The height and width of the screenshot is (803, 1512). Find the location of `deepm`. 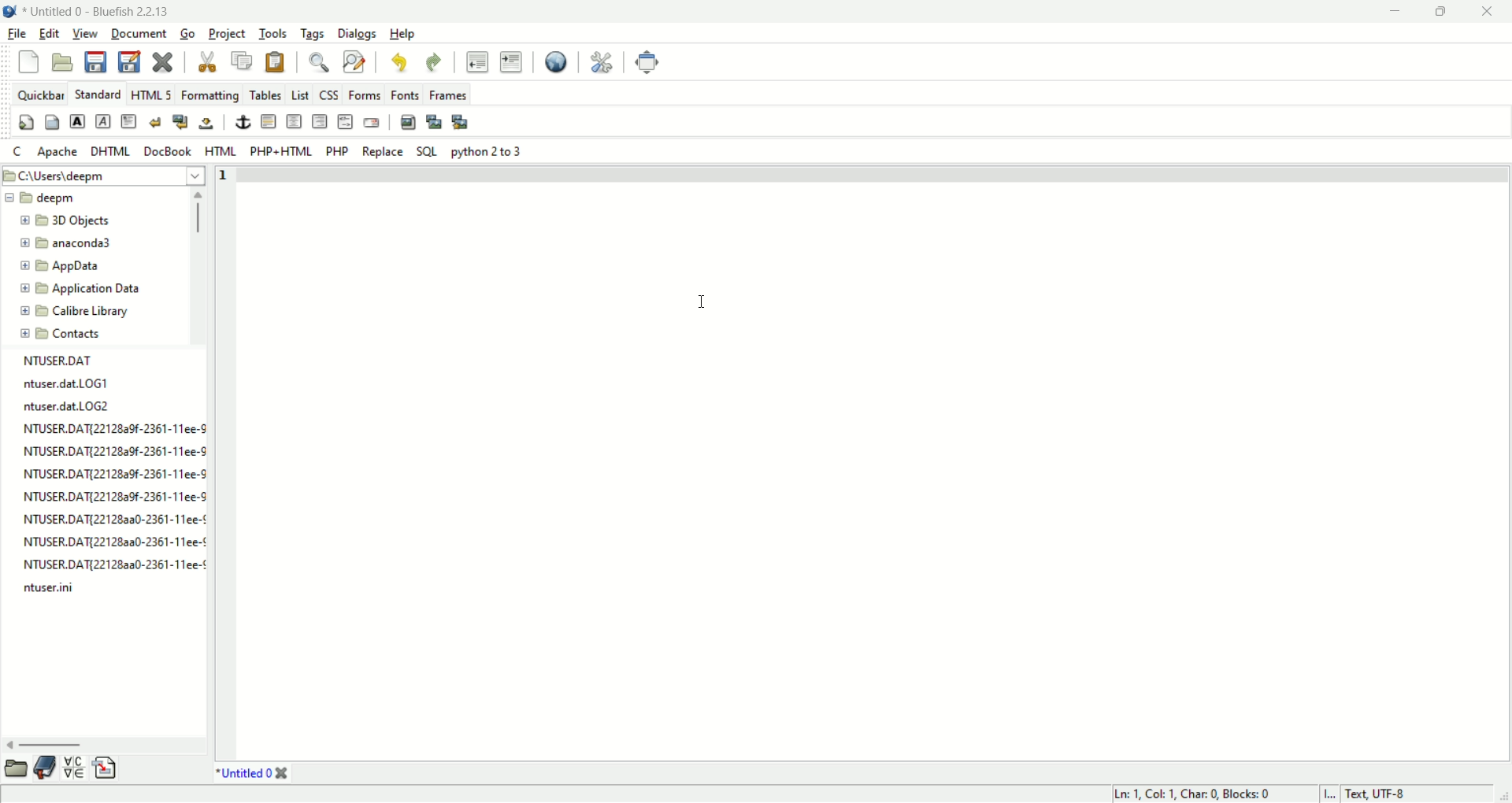

deepm is located at coordinates (55, 200).